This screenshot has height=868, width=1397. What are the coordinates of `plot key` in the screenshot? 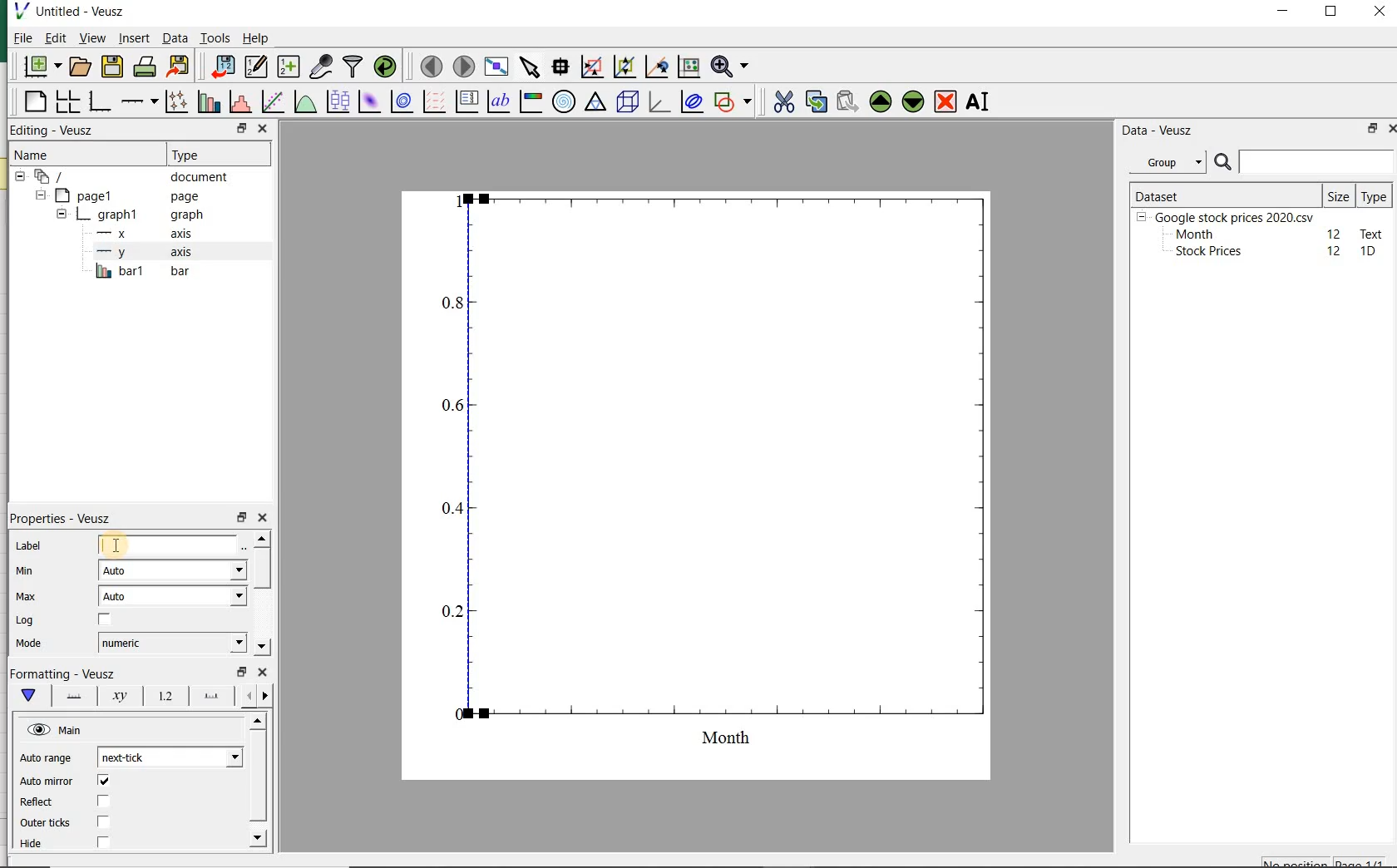 It's located at (466, 103).